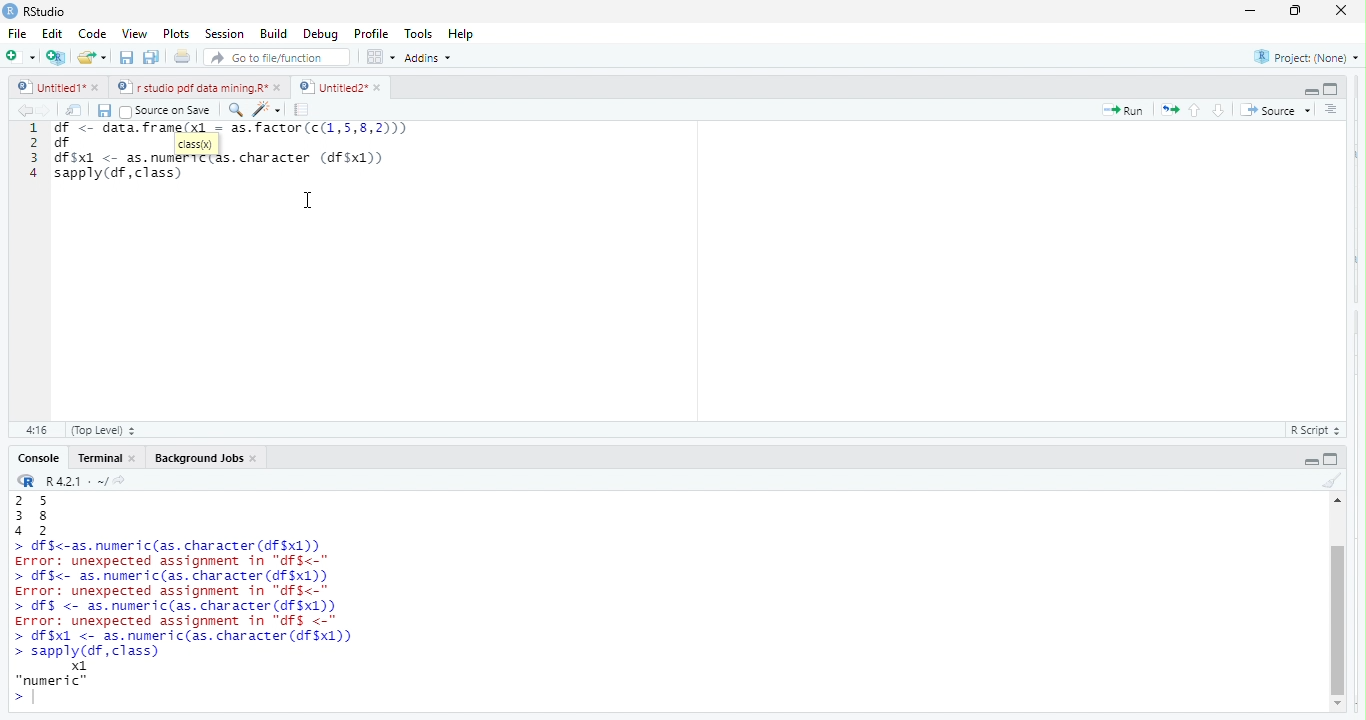 The image size is (1366, 720). I want to click on file, so click(20, 34).